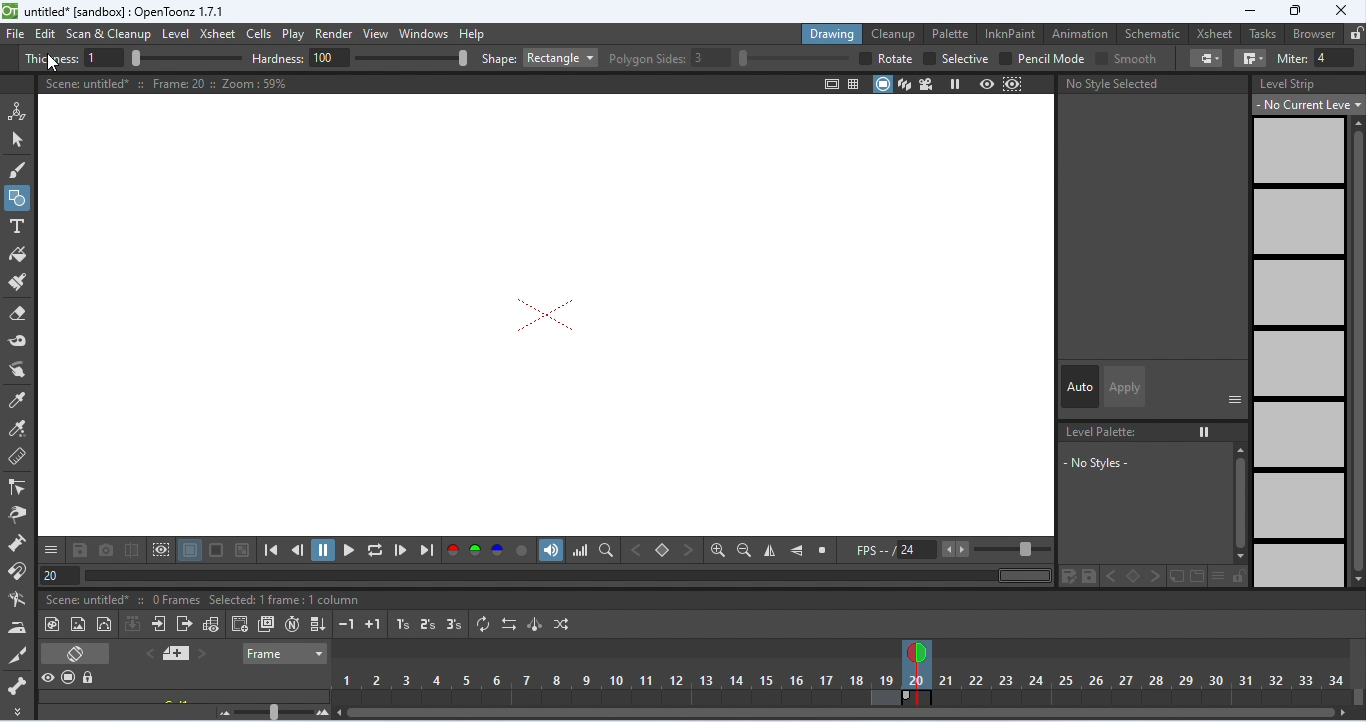 The height and width of the screenshot is (722, 1366). Describe the element at coordinates (282, 655) in the screenshot. I see `frame` at that location.